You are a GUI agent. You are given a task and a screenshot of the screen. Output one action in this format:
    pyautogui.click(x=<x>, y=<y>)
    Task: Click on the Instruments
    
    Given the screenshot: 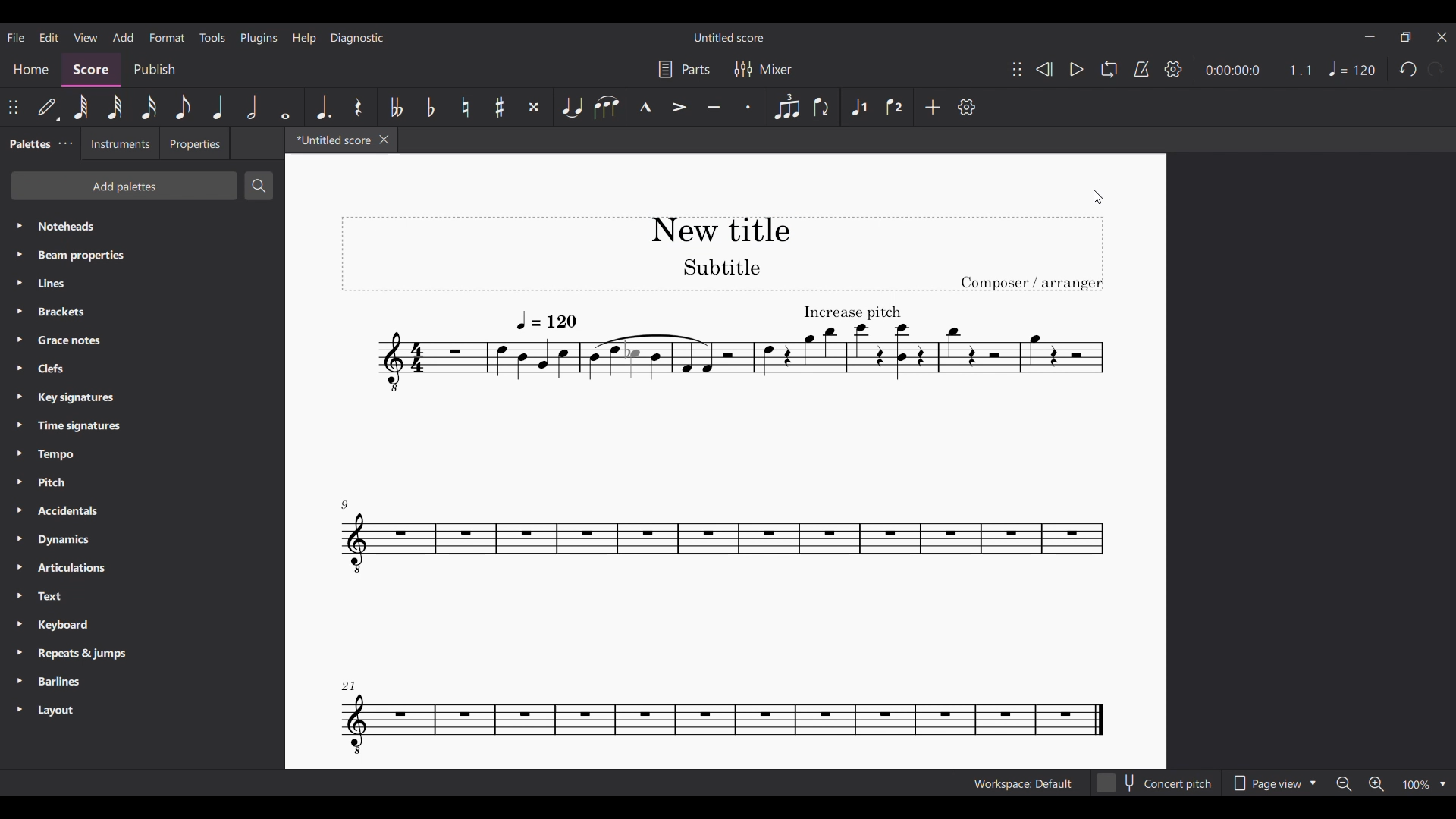 What is the action you would take?
    pyautogui.click(x=119, y=143)
    